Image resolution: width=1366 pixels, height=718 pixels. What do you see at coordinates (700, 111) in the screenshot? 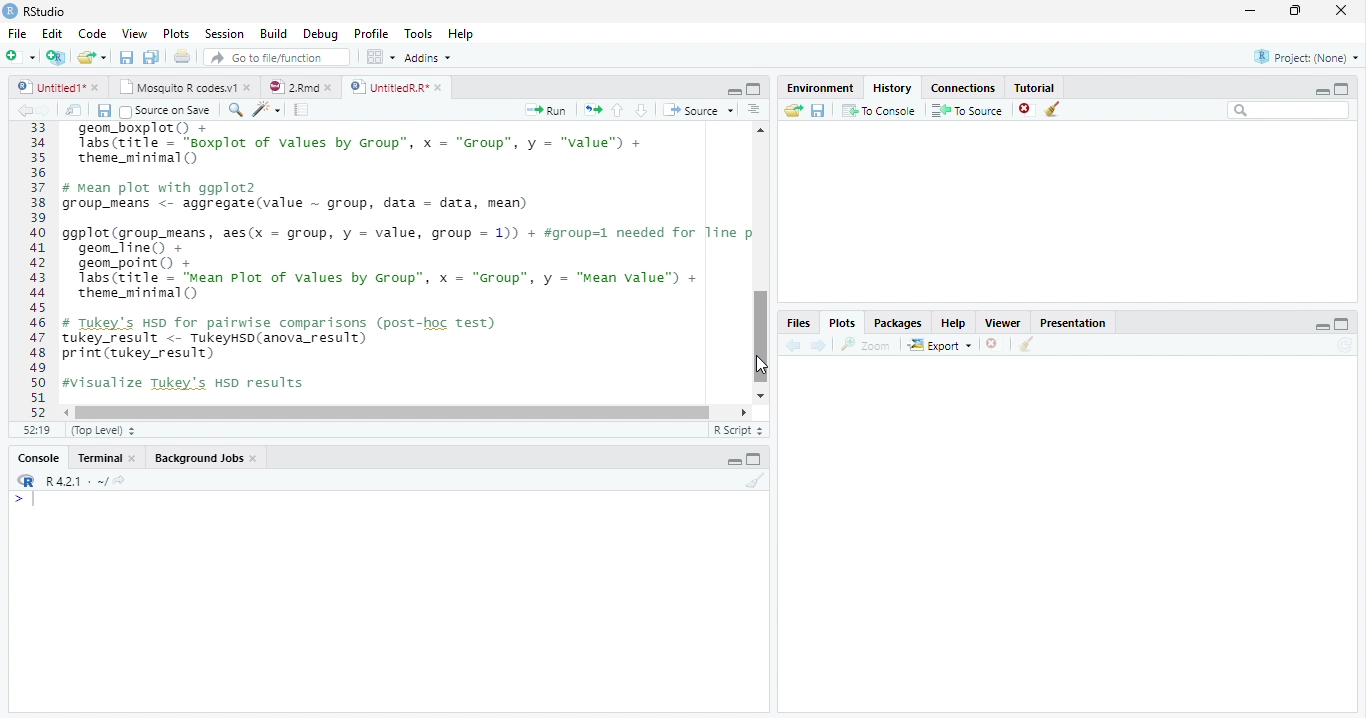
I see `Source` at bounding box center [700, 111].